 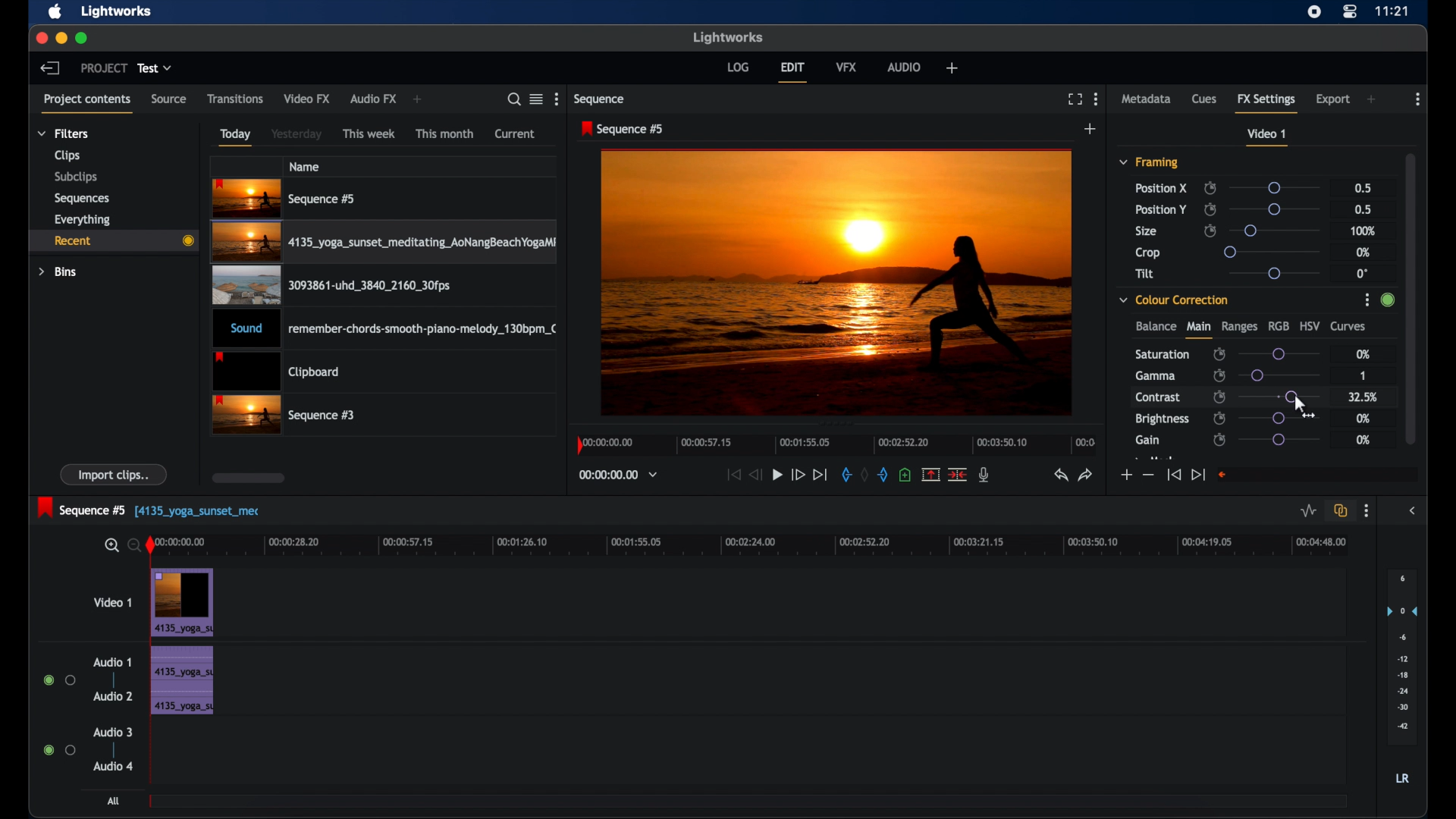 What do you see at coordinates (417, 99) in the screenshot?
I see `add` at bounding box center [417, 99].